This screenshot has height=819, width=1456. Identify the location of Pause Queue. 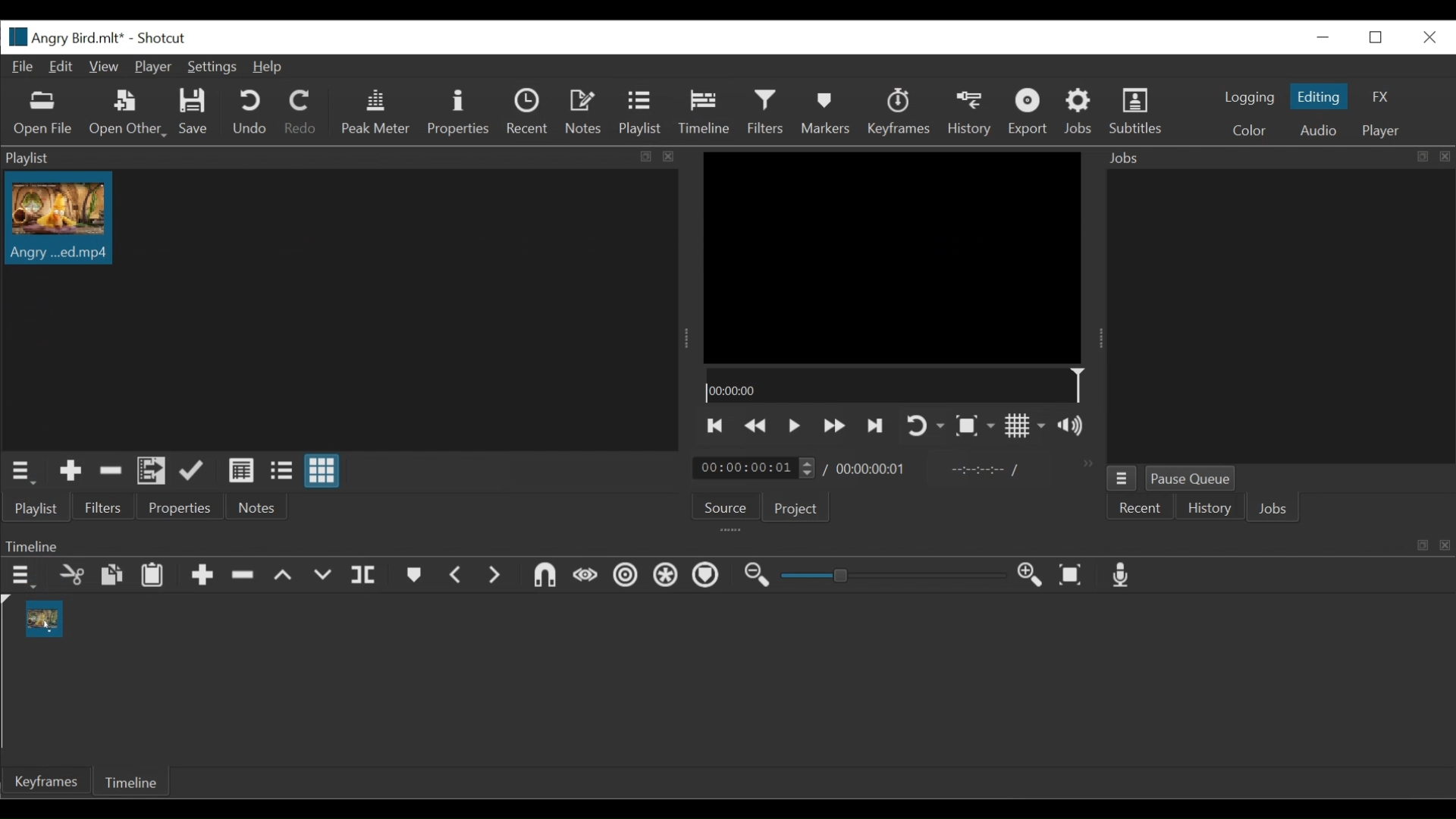
(1193, 477).